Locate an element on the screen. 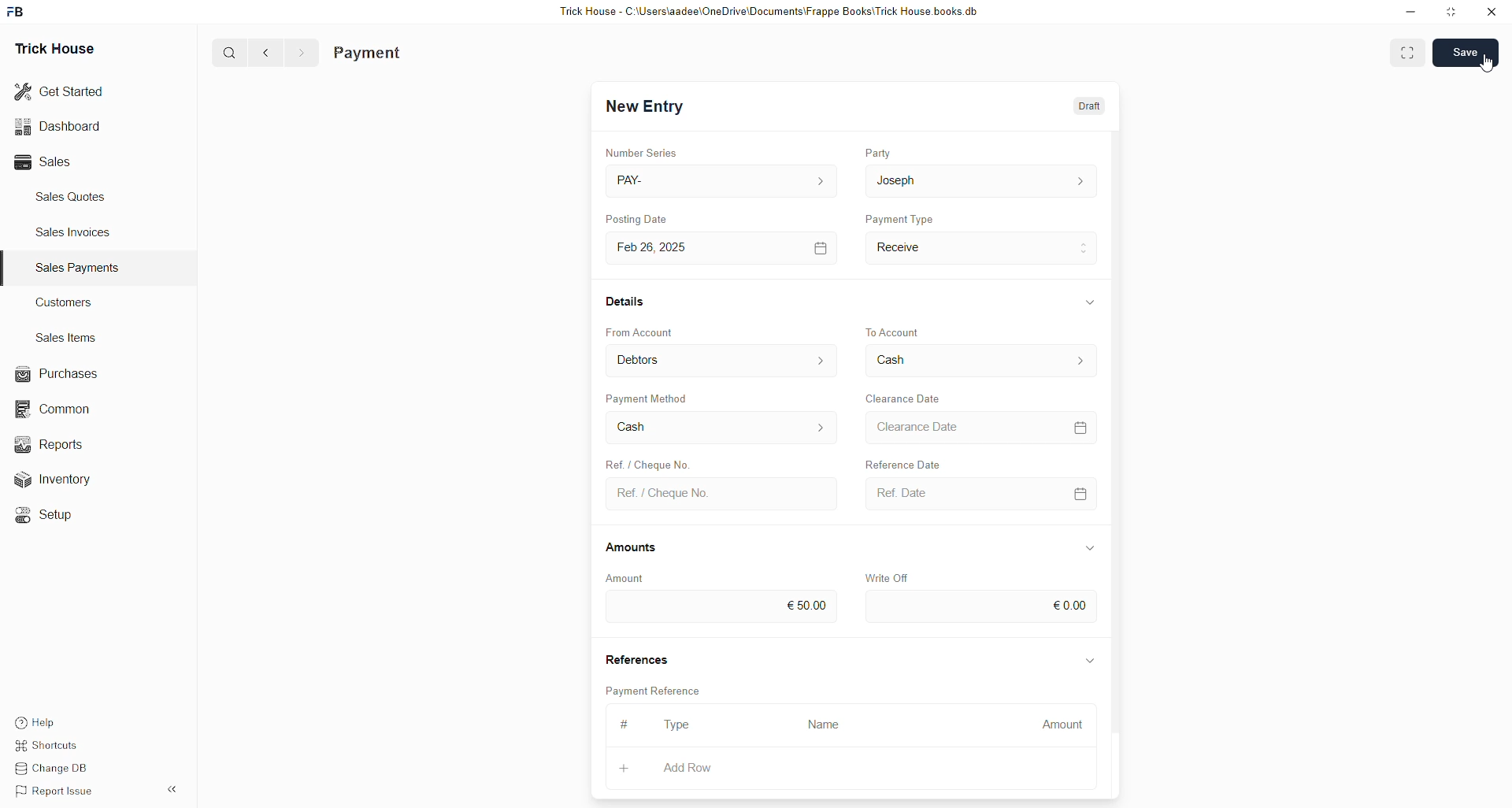  Payment Method is located at coordinates (649, 398).